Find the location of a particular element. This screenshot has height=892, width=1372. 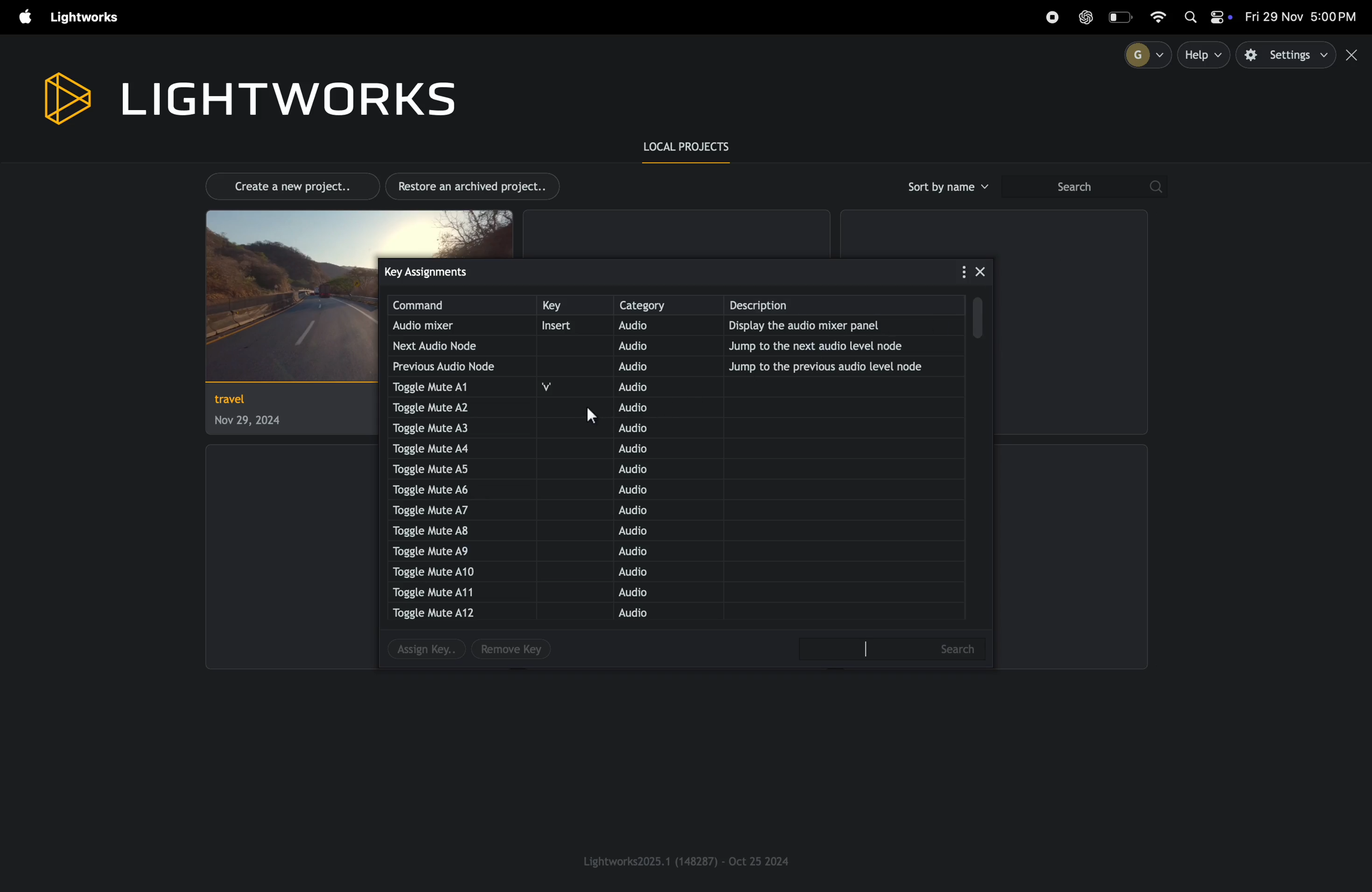

toggle mute A6 is located at coordinates (446, 489).